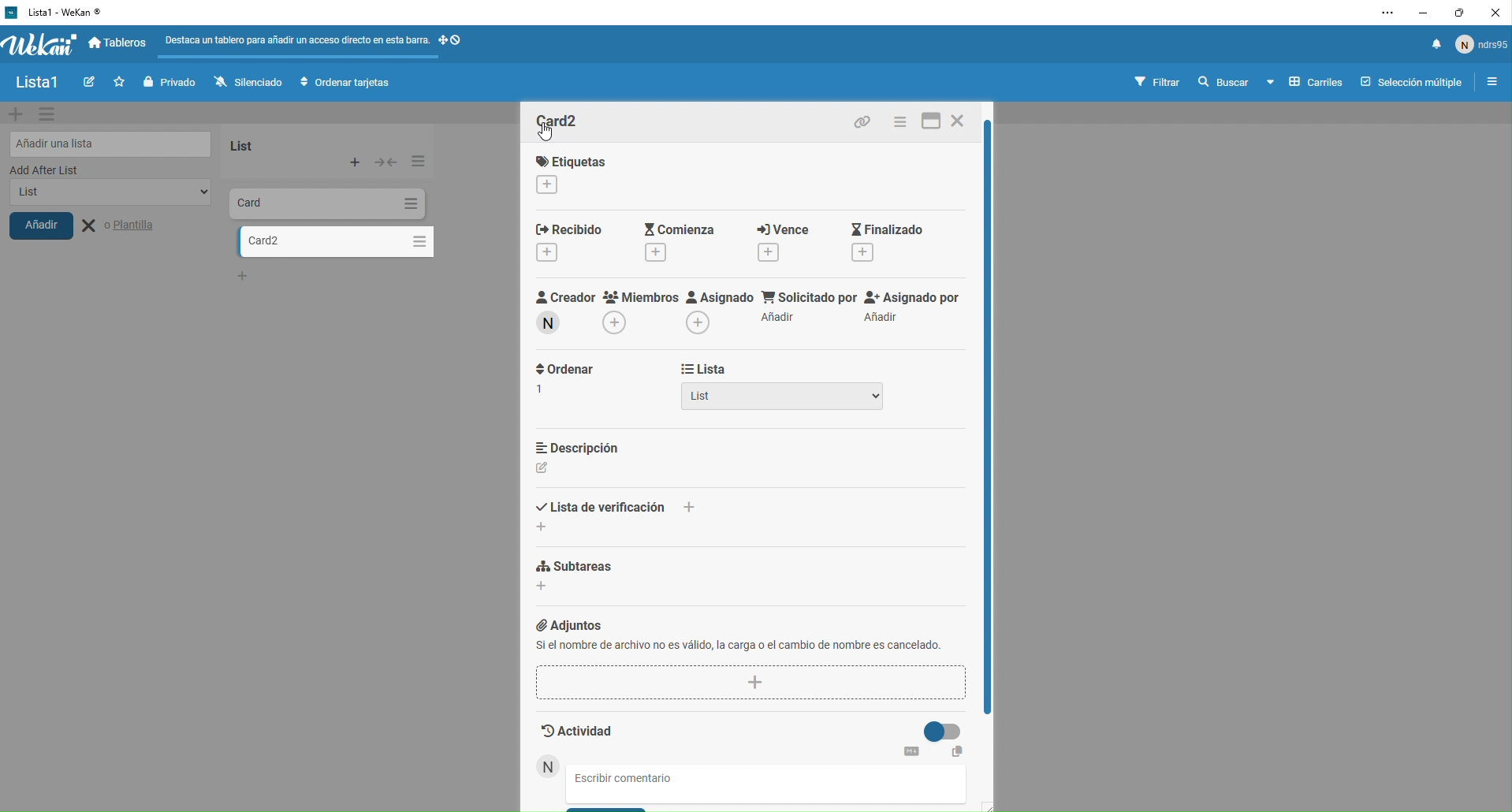  Describe the element at coordinates (117, 81) in the screenshot. I see `Favorites` at that location.